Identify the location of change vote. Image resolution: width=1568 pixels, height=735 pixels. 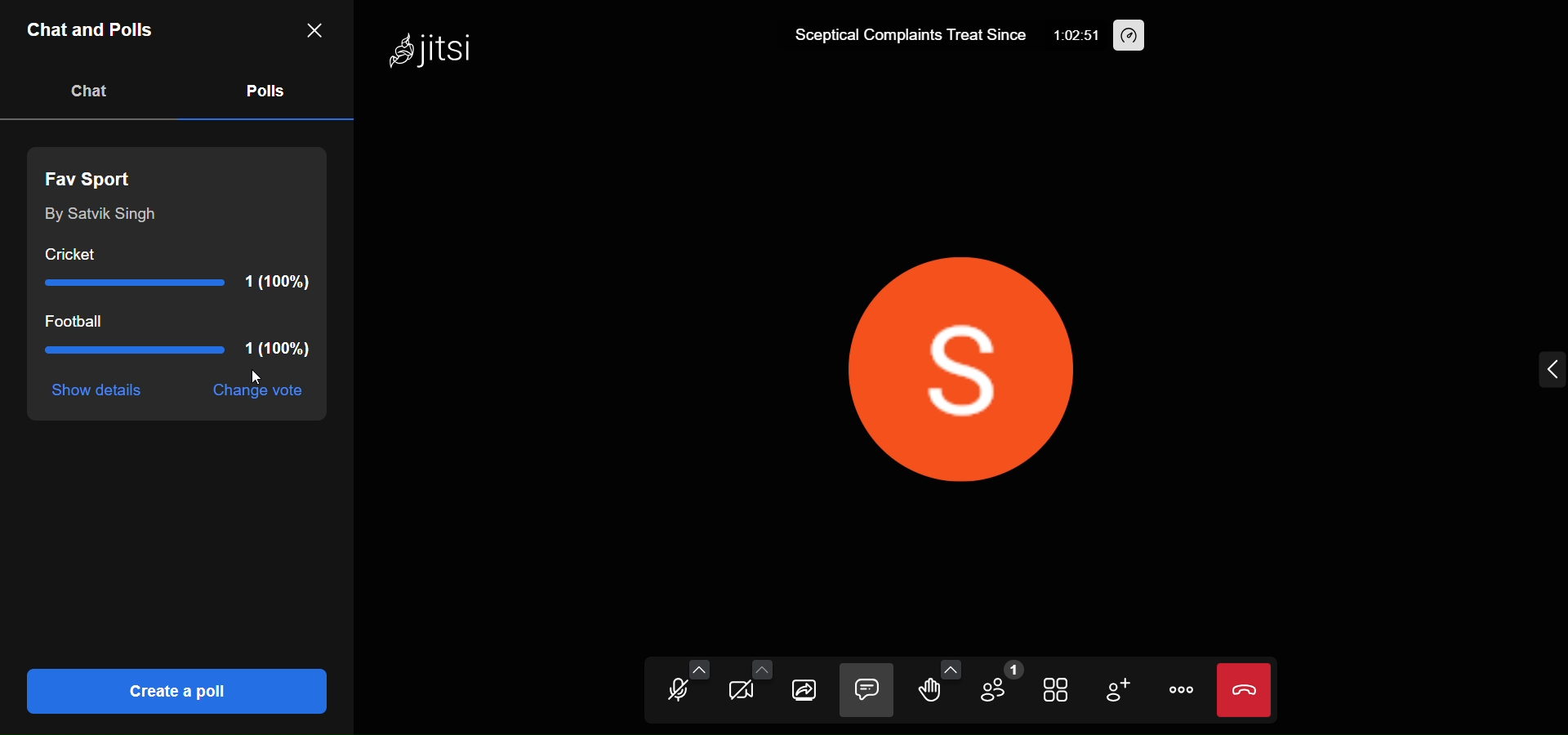
(254, 393).